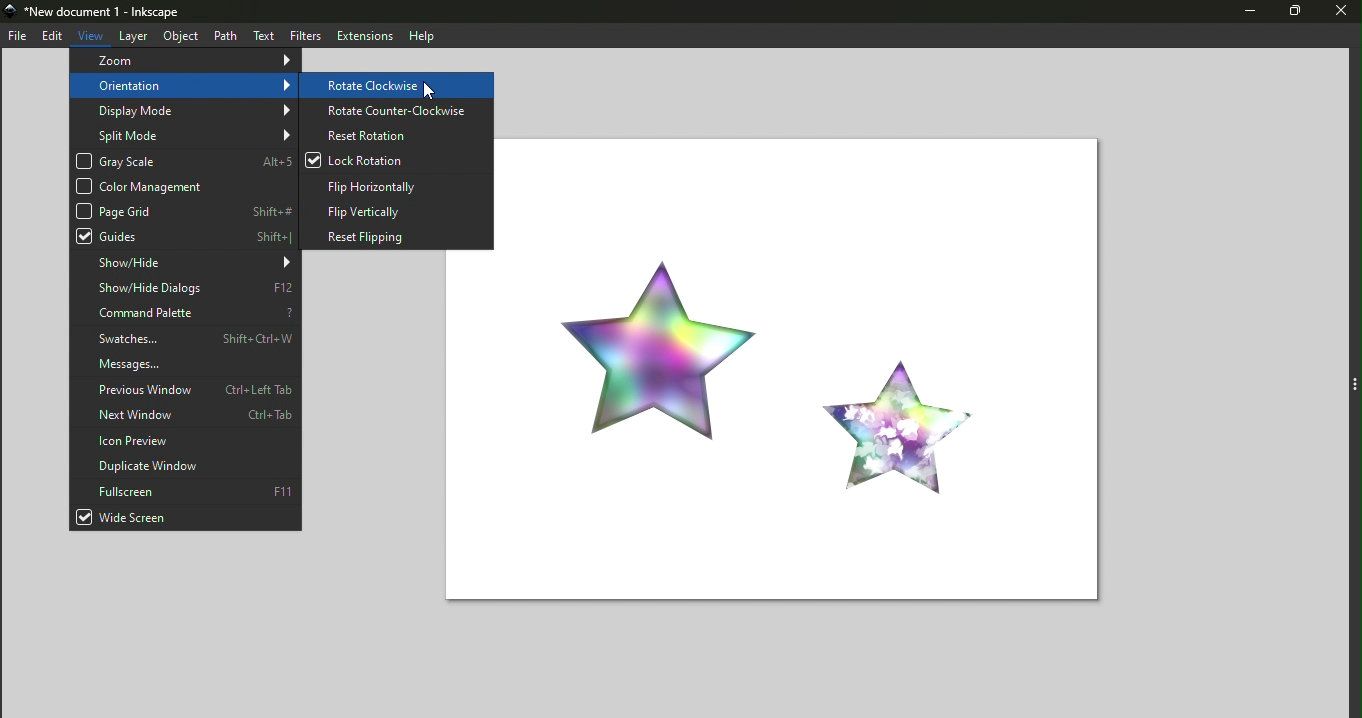 The image size is (1362, 718). Describe the element at coordinates (182, 134) in the screenshot. I see `Split Mode` at that location.